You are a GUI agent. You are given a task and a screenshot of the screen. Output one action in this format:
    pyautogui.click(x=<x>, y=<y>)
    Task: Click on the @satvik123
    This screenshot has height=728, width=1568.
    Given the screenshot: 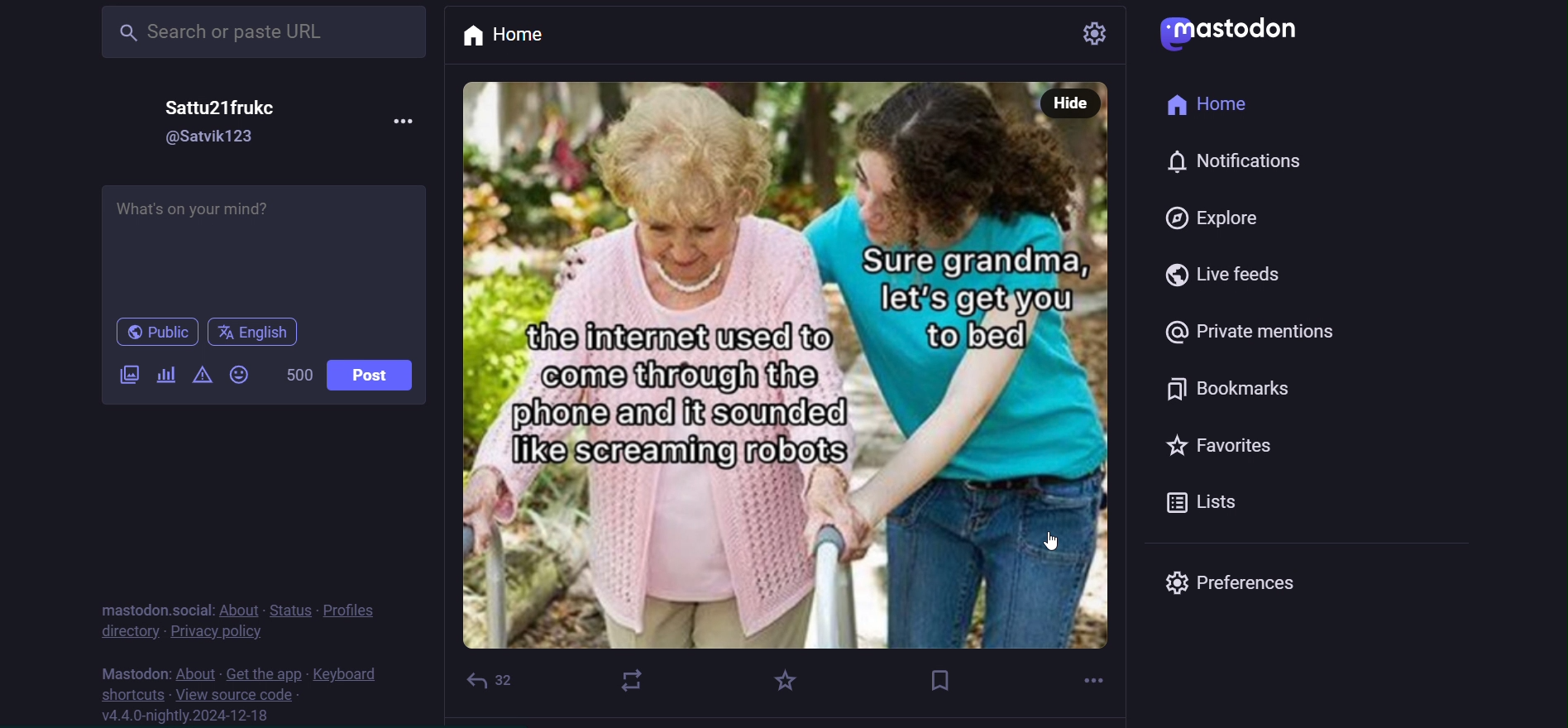 What is the action you would take?
    pyautogui.click(x=212, y=137)
    